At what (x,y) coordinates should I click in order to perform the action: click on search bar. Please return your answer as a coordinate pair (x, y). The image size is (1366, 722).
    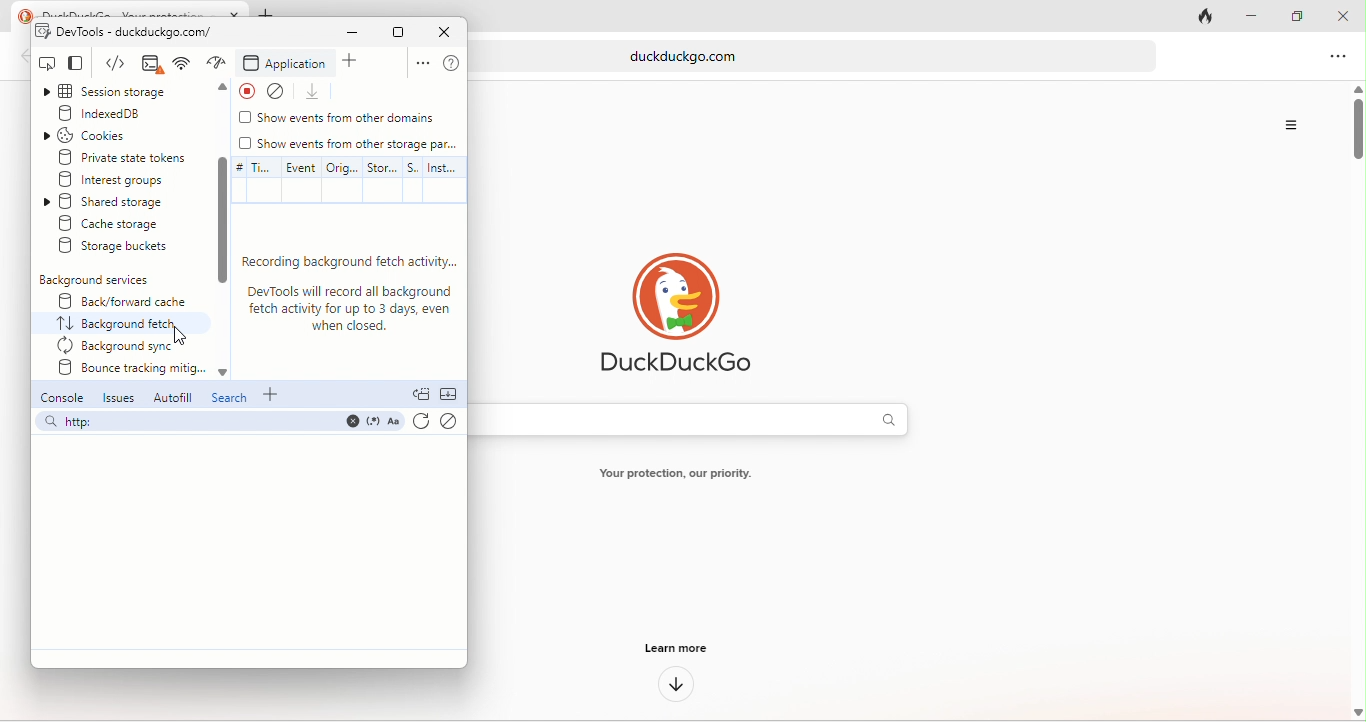
    Looking at the image, I should click on (218, 424).